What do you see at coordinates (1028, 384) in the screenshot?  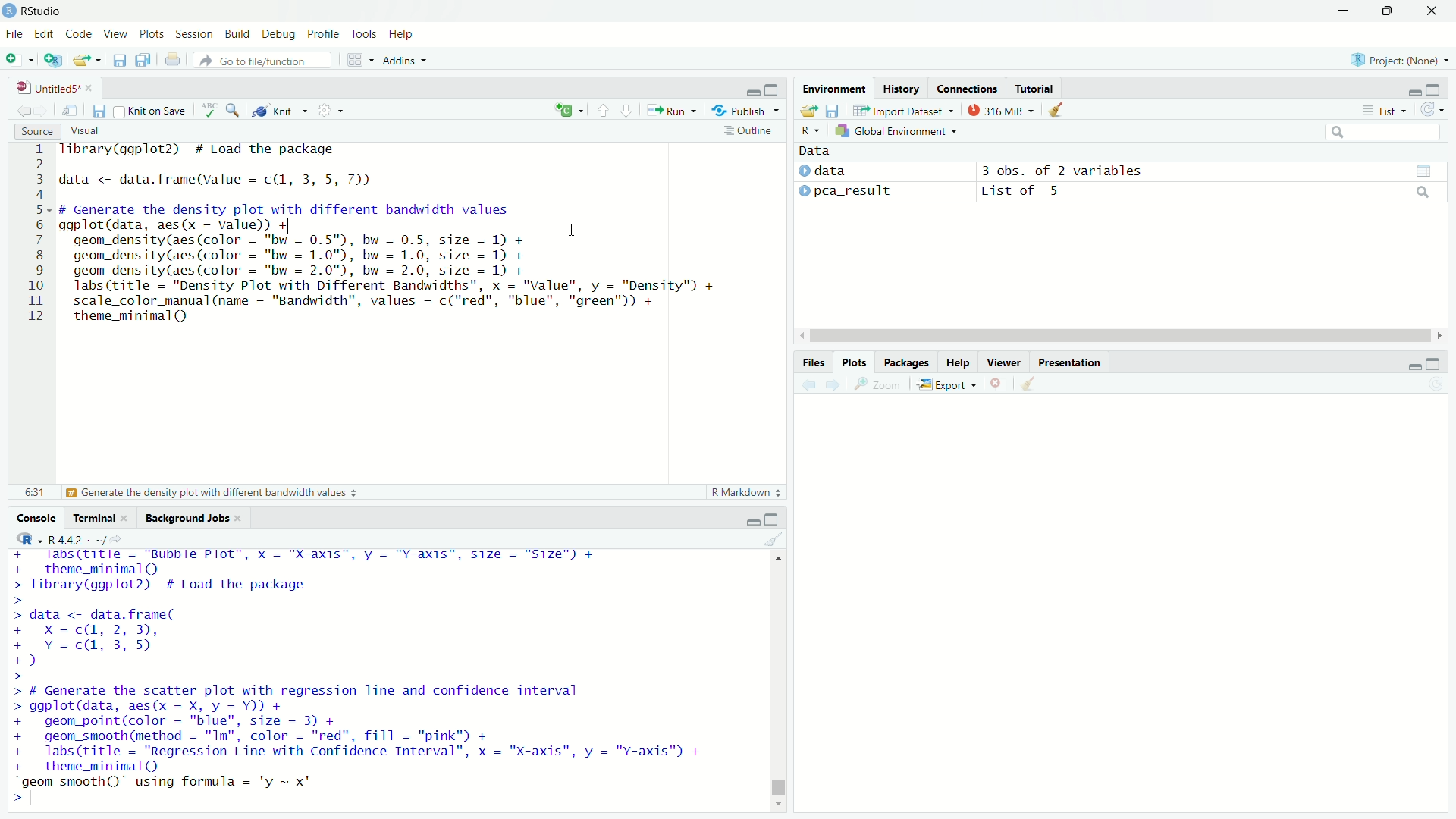 I see `Clear all plots` at bounding box center [1028, 384].